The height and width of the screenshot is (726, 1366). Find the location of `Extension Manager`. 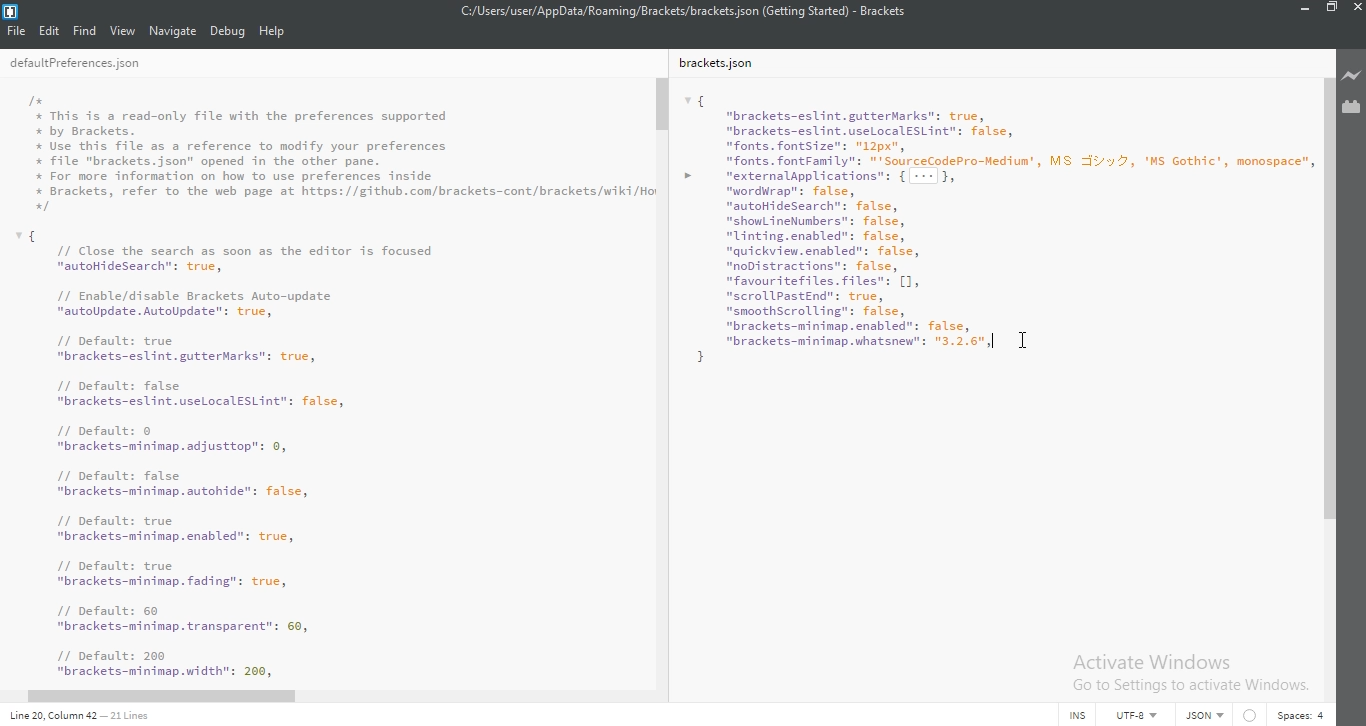

Extension Manager is located at coordinates (1351, 106).